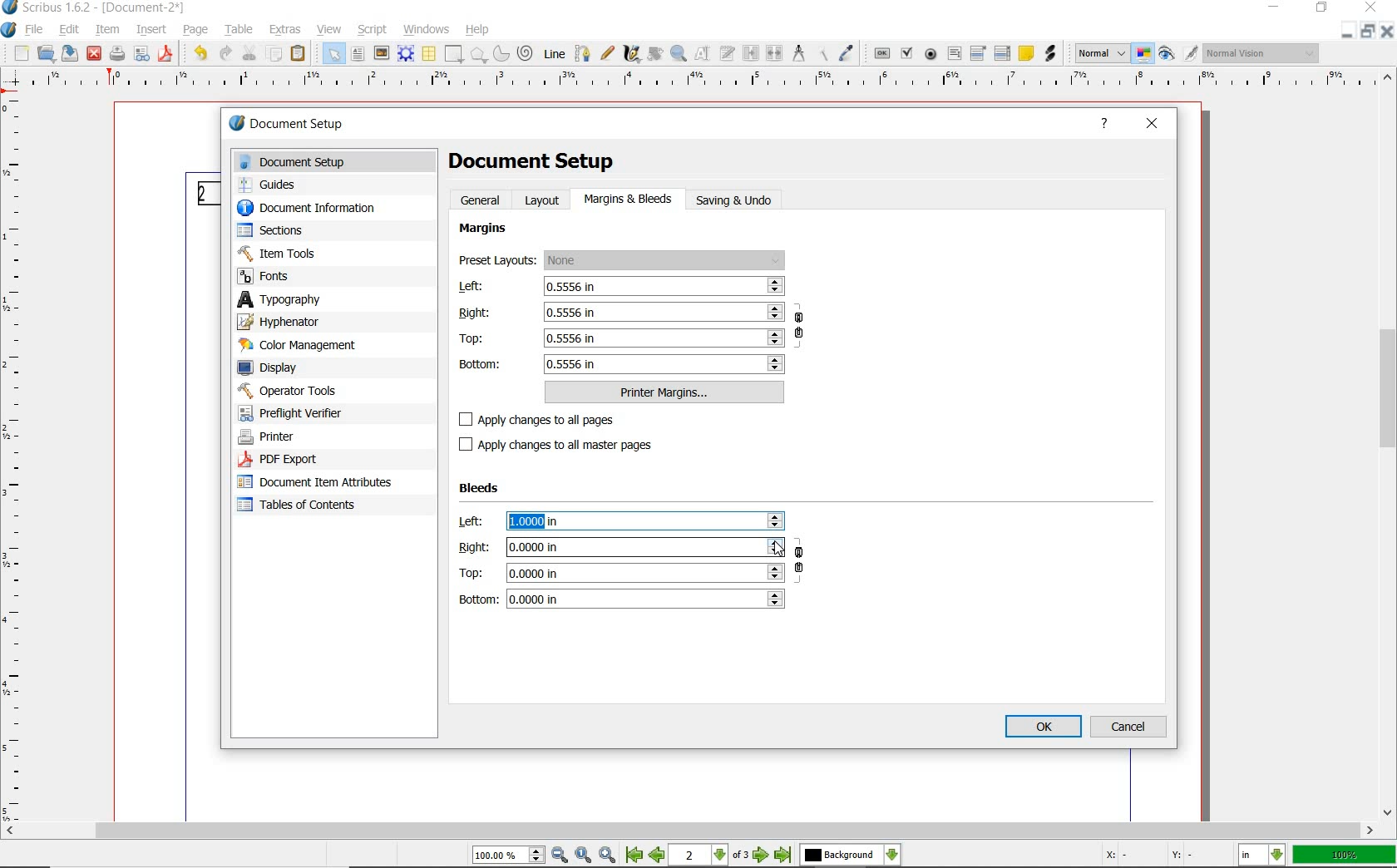  What do you see at coordinates (323, 209) in the screenshot?
I see `document information` at bounding box center [323, 209].